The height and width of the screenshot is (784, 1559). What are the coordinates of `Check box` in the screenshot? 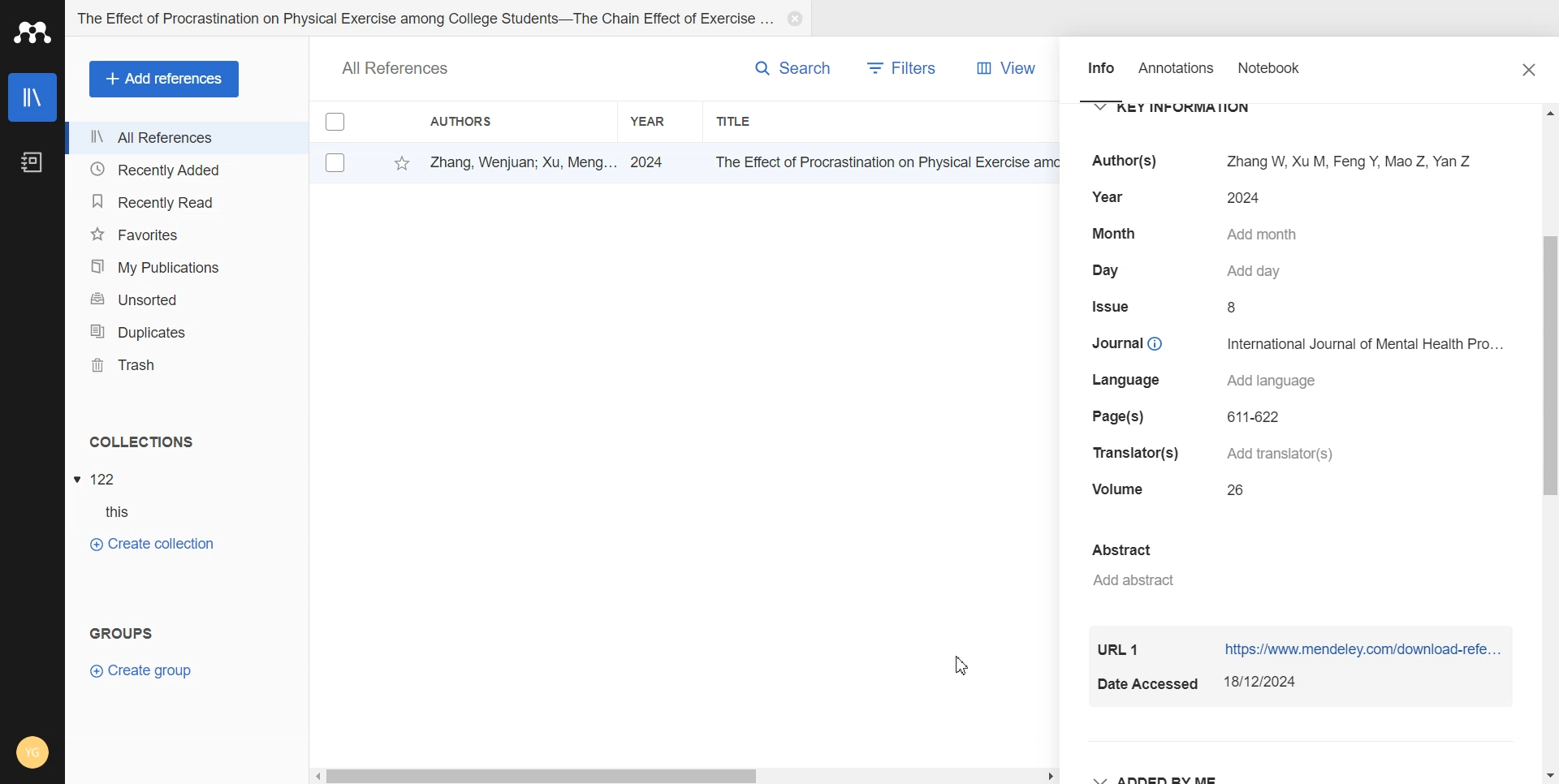 It's located at (335, 124).